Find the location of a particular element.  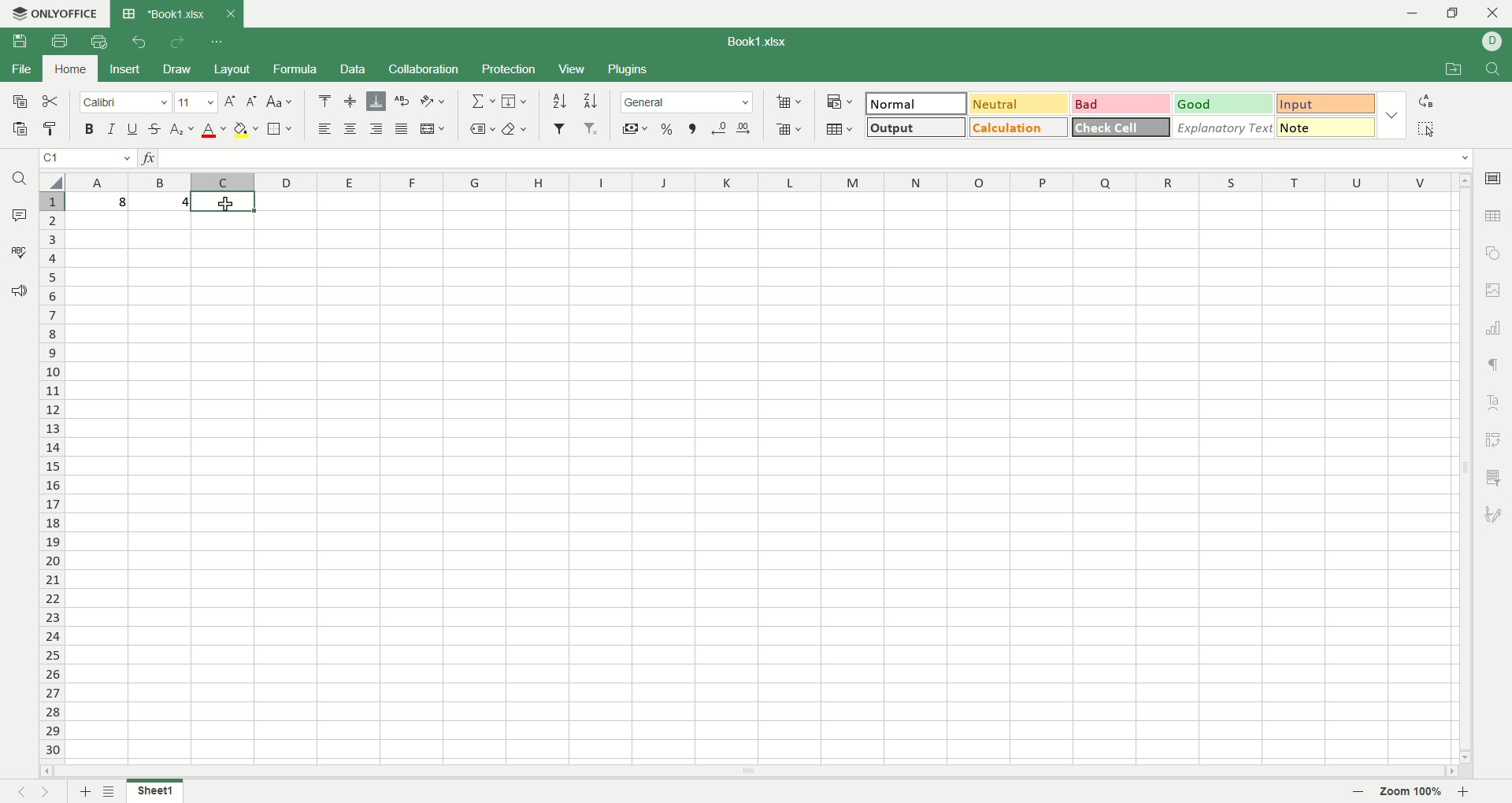

chart settings is located at coordinates (1496, 328).